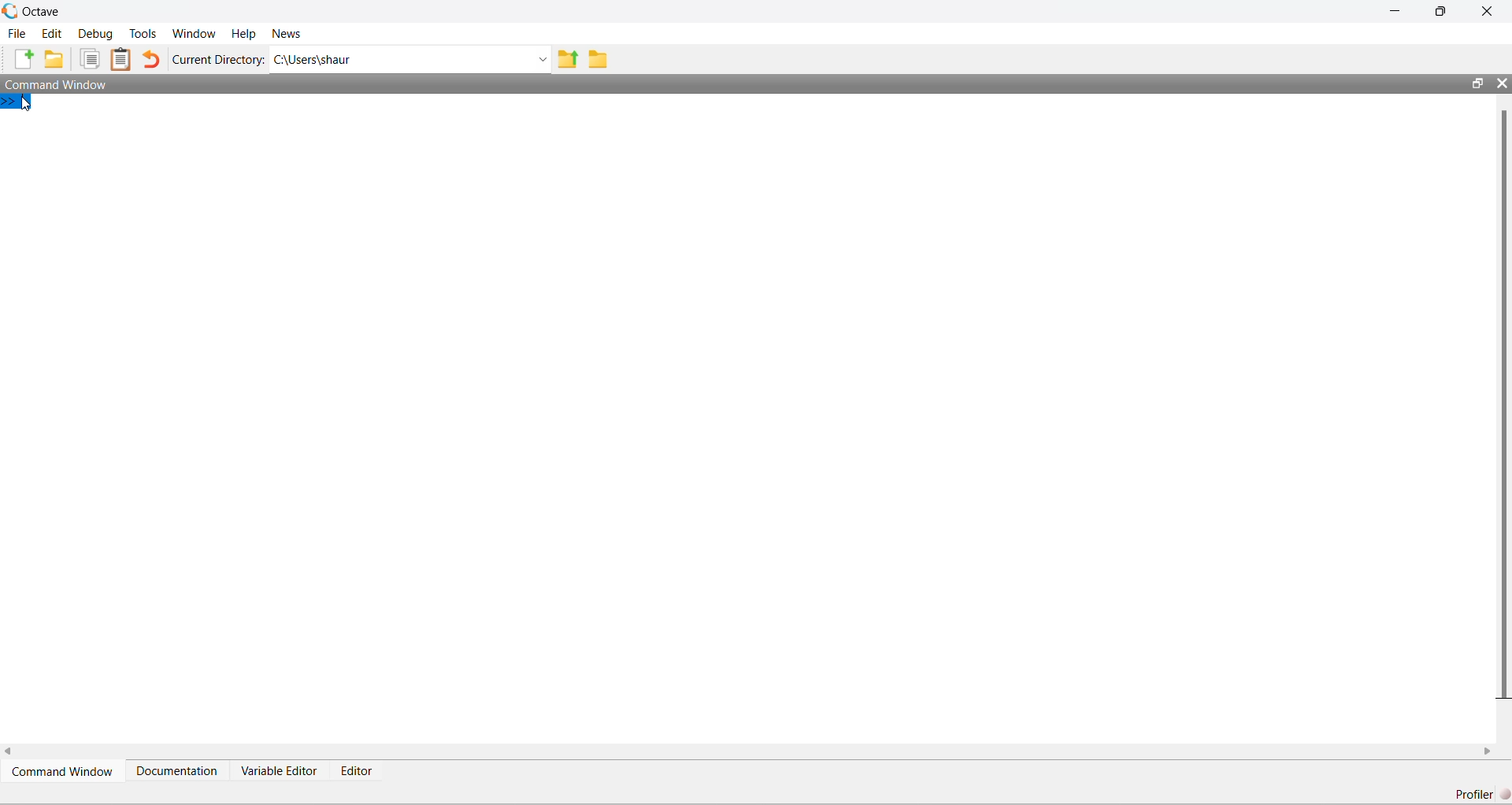 The height and width of the screenshot is (805, 1512). What do you see at coordinates (243, 34) in the screenshot?
I see `Help` at bounding box center [243, 34].